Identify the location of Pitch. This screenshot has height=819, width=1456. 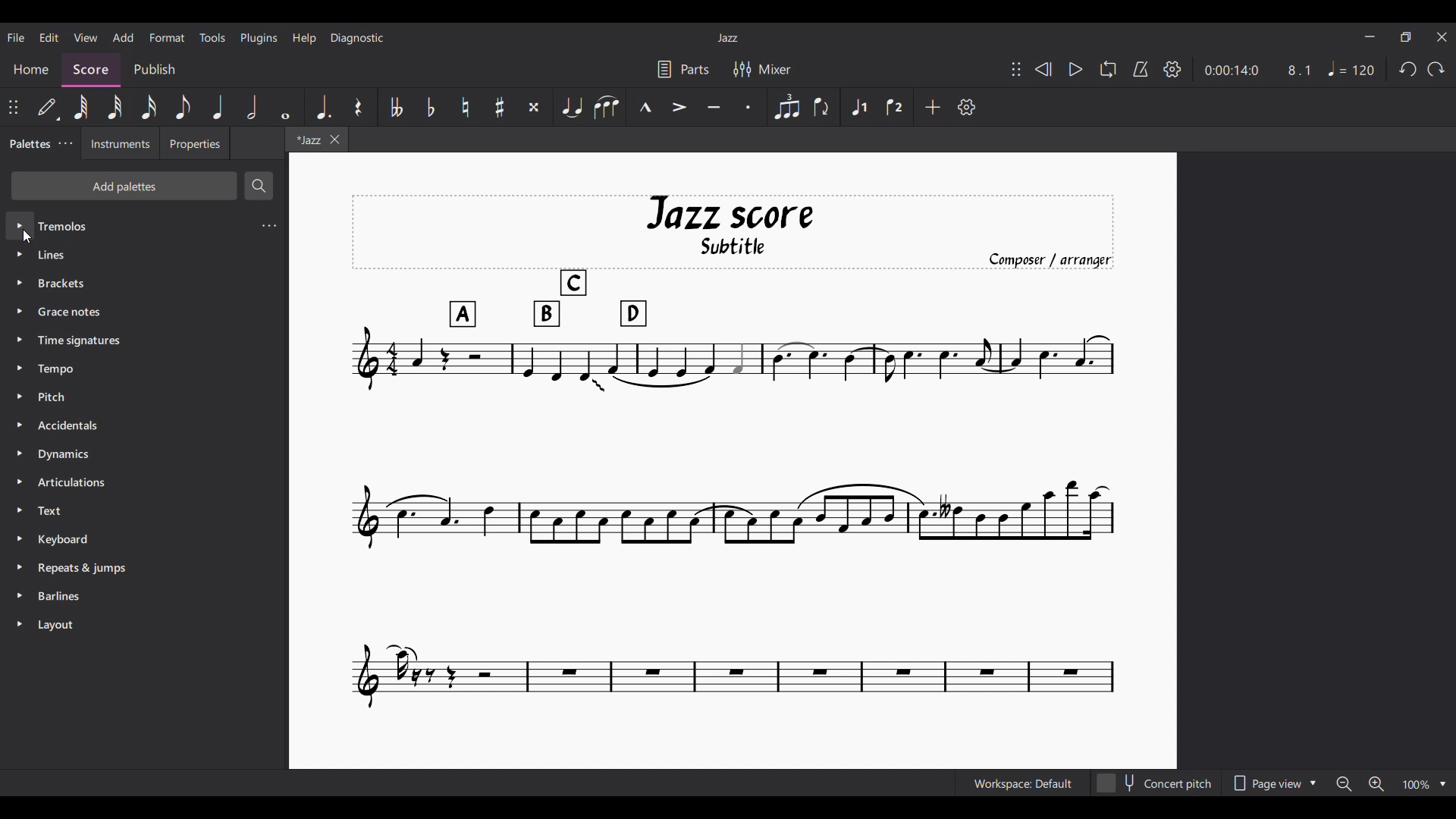
(143, 397).